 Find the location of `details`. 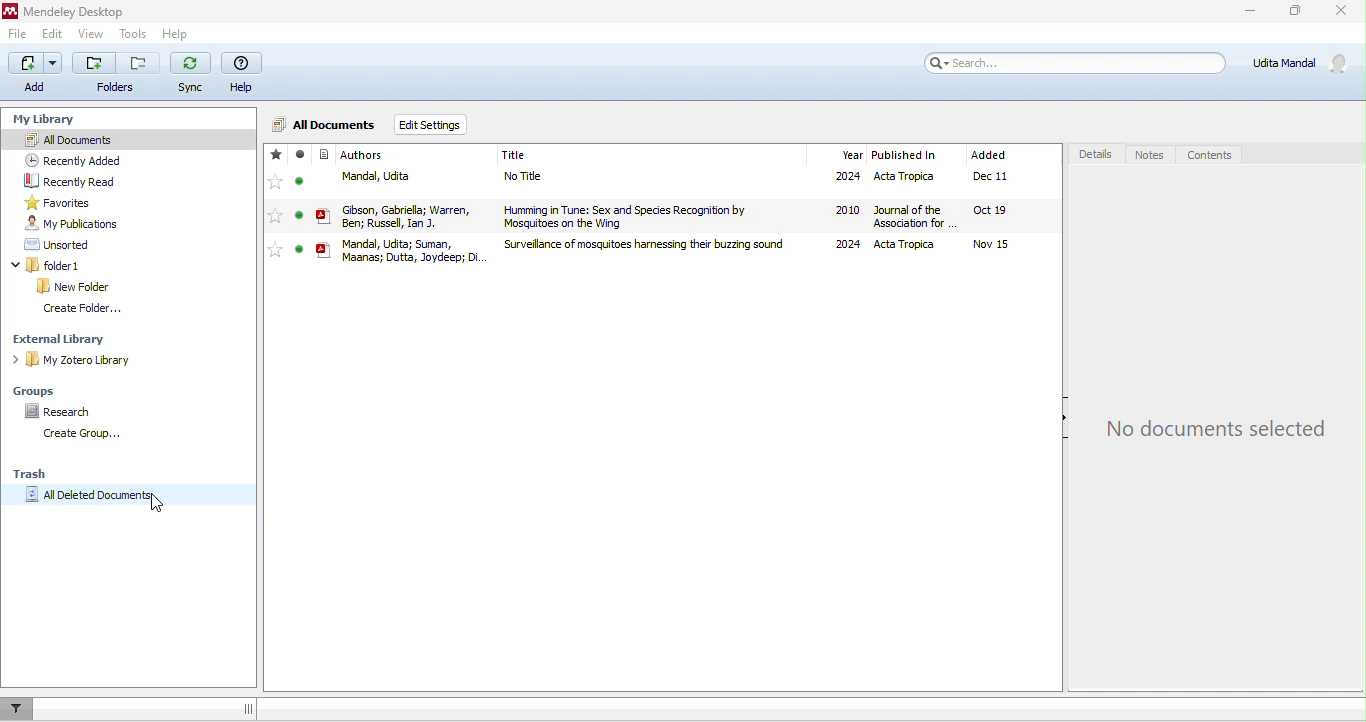

details is located at coordinates (1090, 156).